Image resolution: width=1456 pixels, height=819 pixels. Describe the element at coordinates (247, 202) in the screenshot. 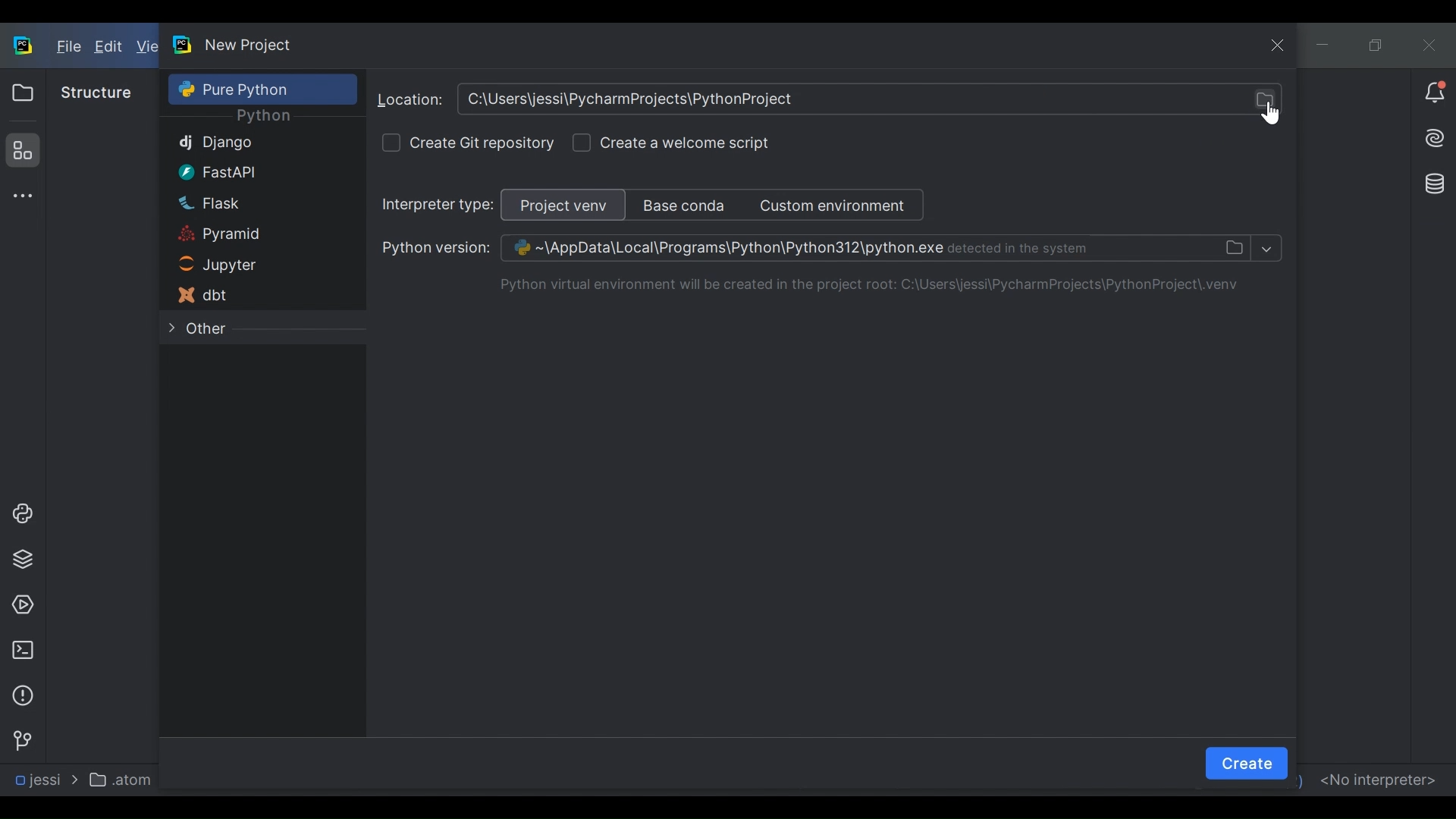

I see `Flask` at that location.